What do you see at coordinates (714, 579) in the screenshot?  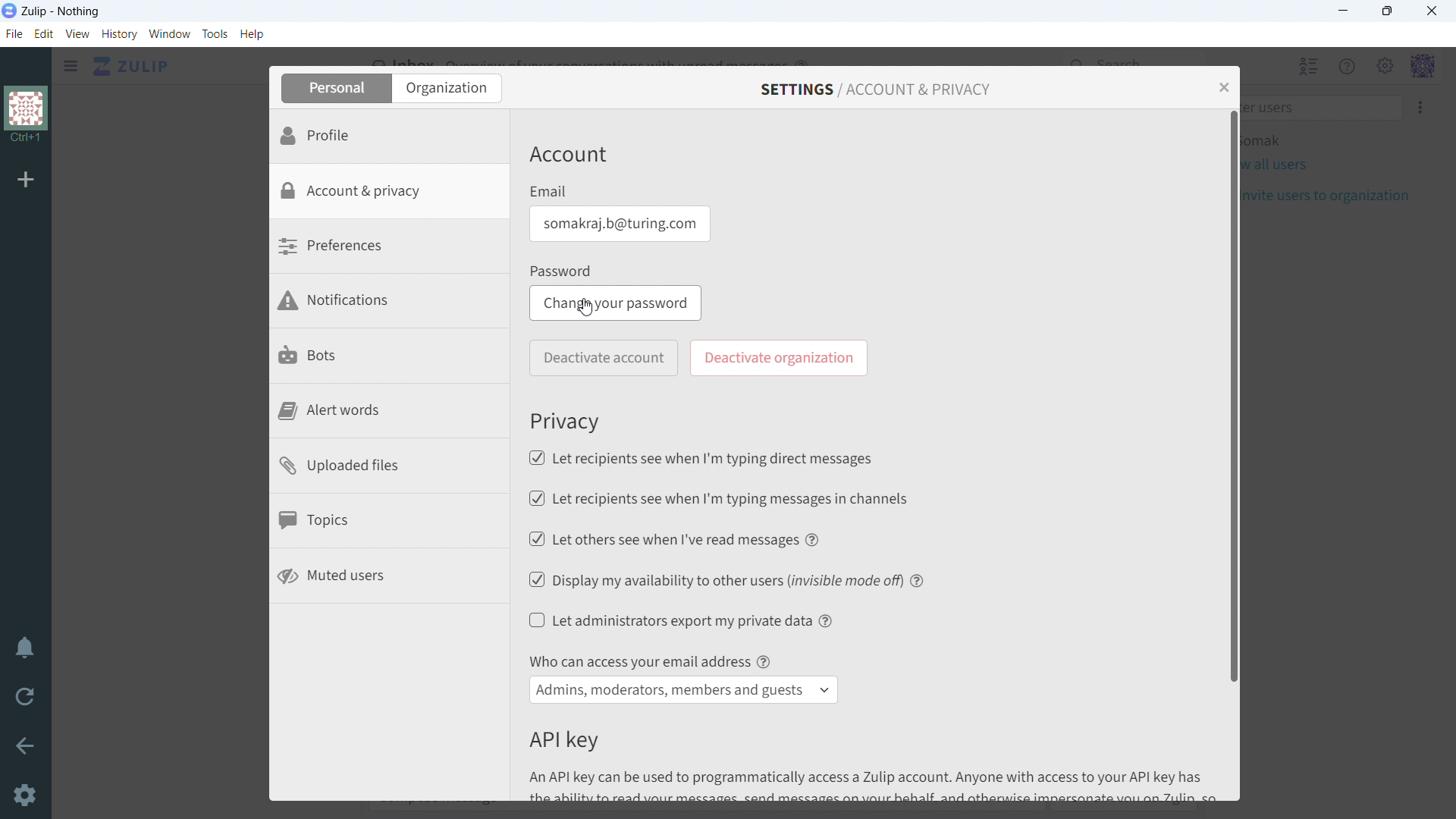 I see `display my availibility to other users` at bounding box center [714, 579].